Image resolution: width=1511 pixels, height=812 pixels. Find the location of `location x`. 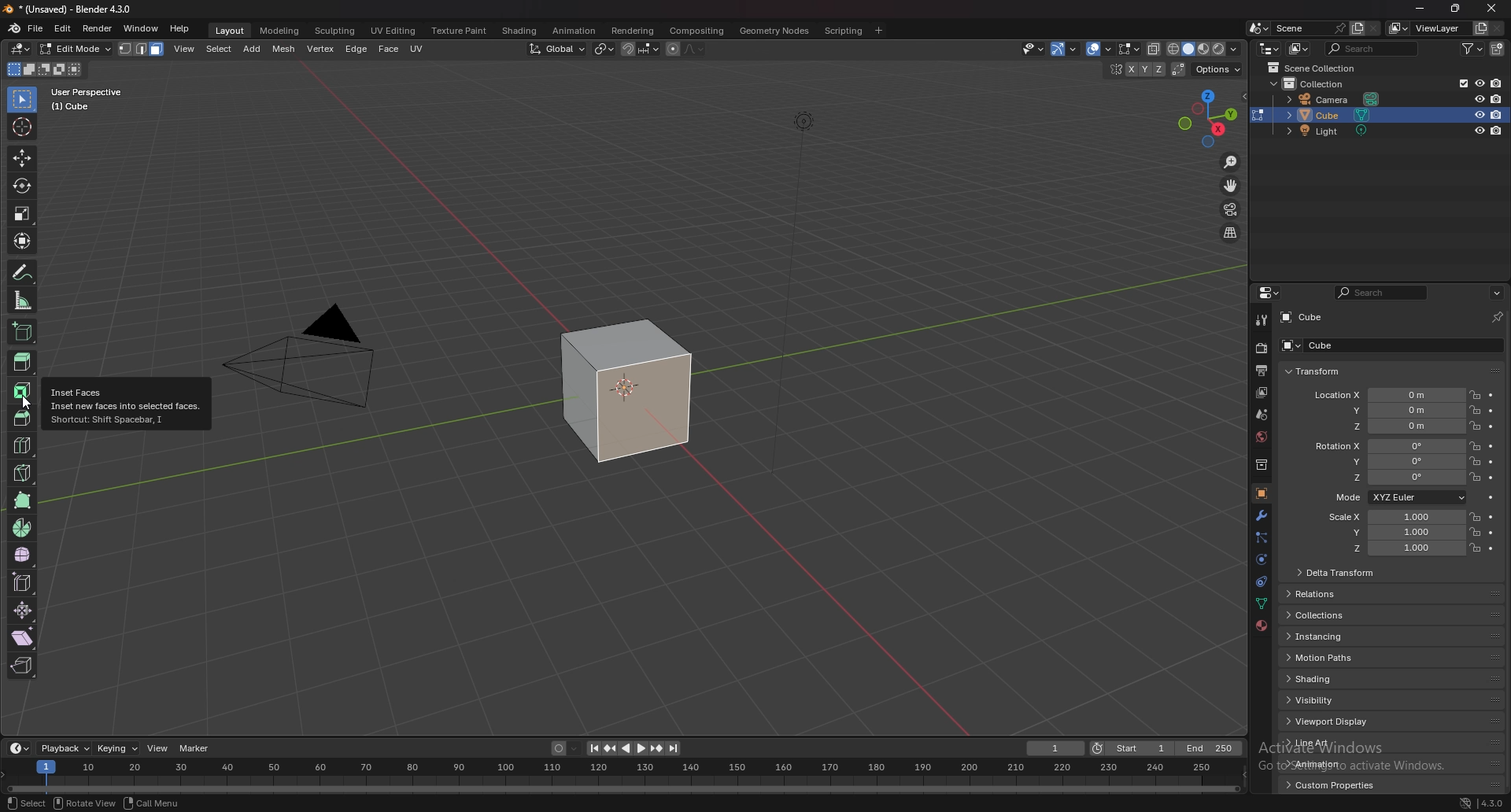

location x is located at coordinates (1388, 396).